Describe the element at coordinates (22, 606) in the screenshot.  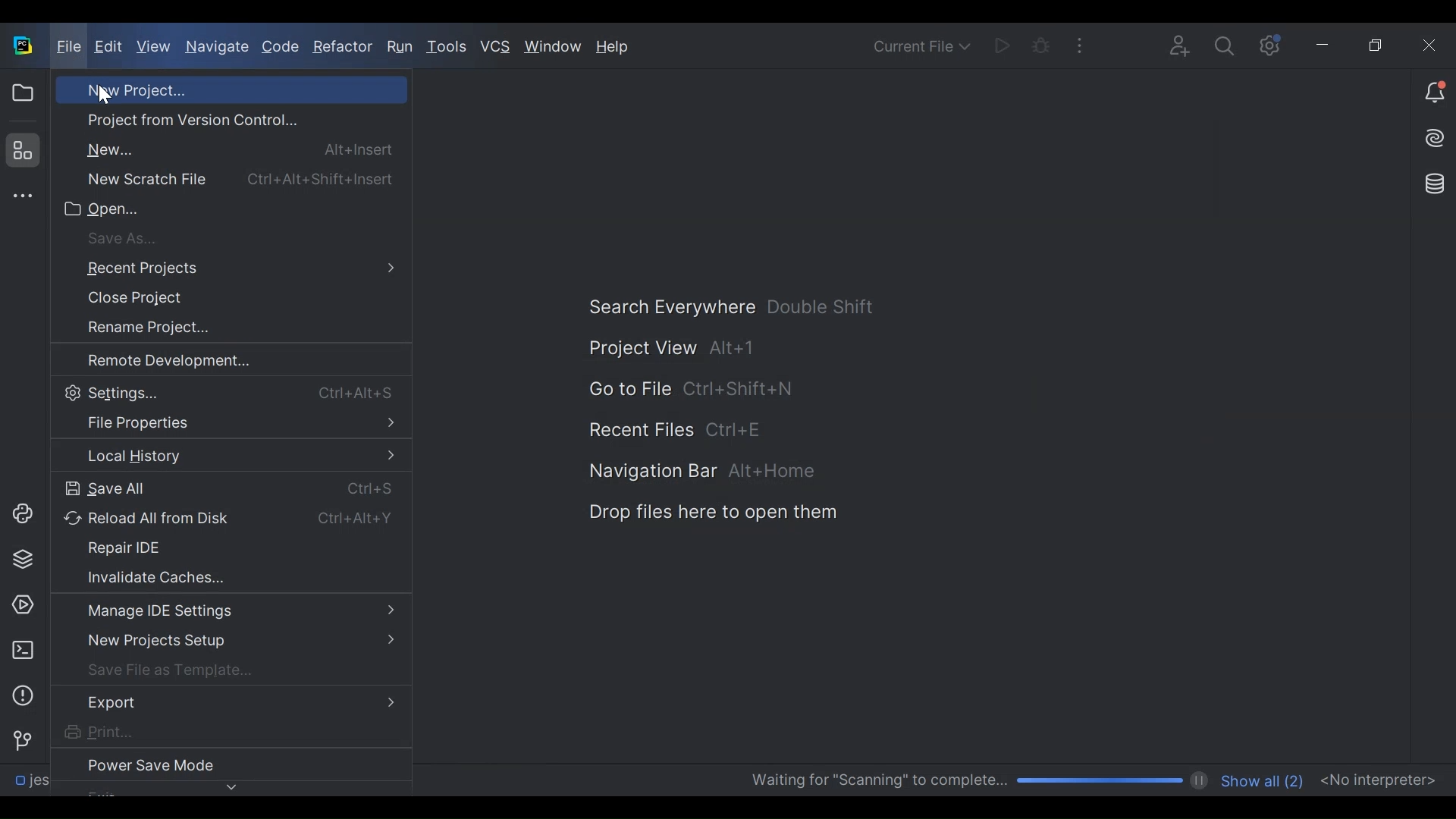
I see `Services` at that location.